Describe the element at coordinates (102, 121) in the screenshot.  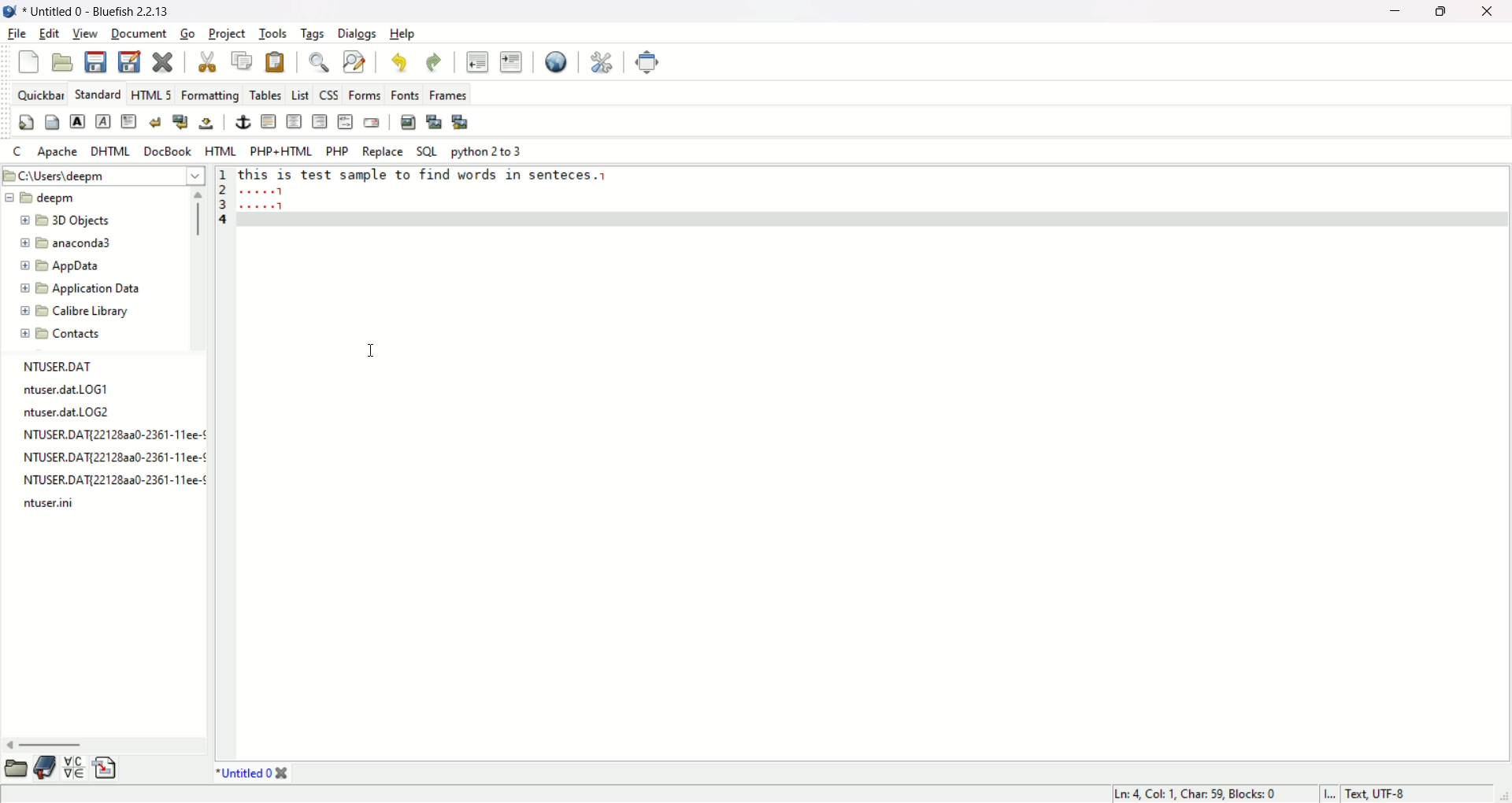
I see `emphasis` at that location.